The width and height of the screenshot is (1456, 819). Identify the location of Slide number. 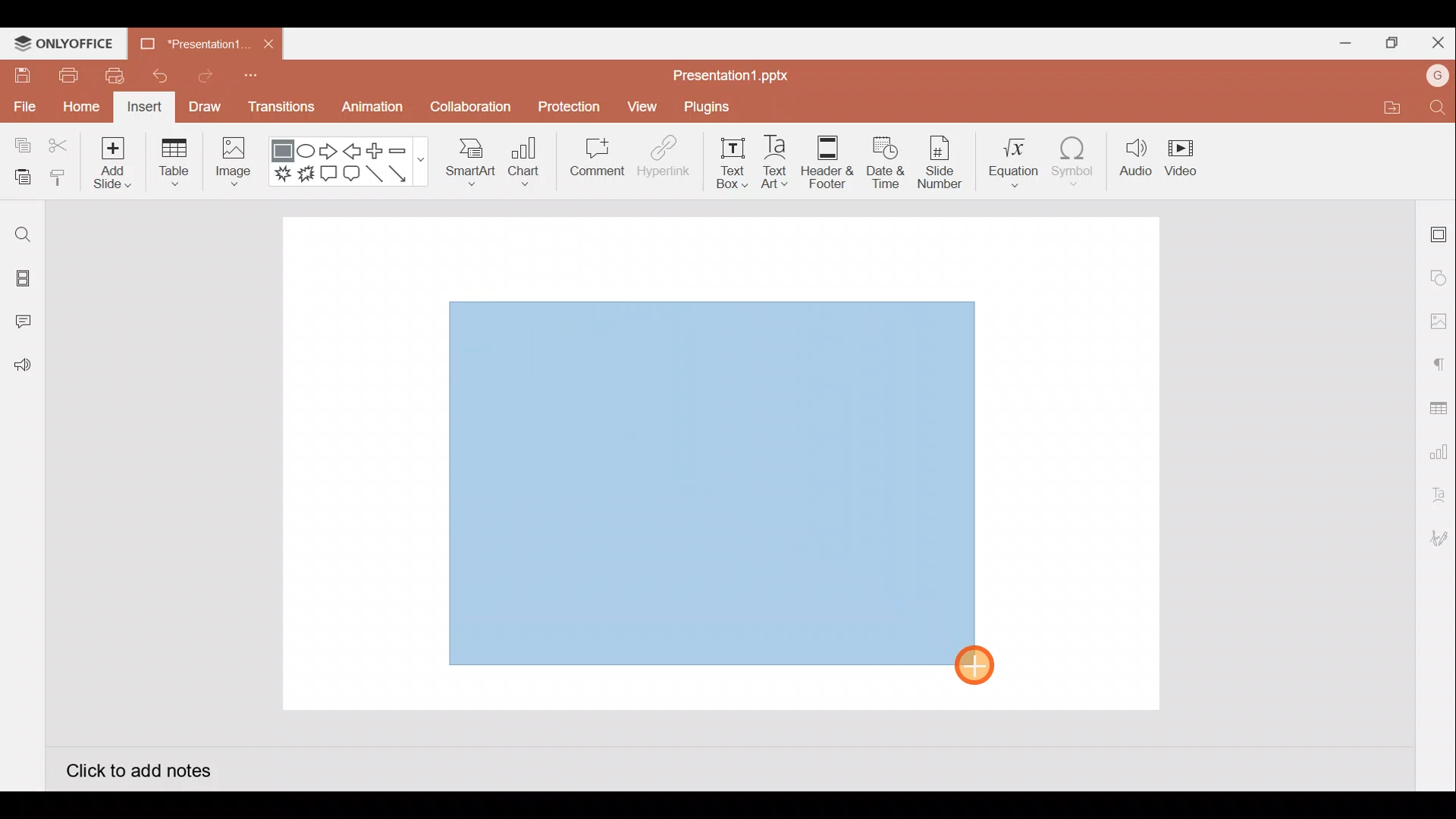
(939, 162).